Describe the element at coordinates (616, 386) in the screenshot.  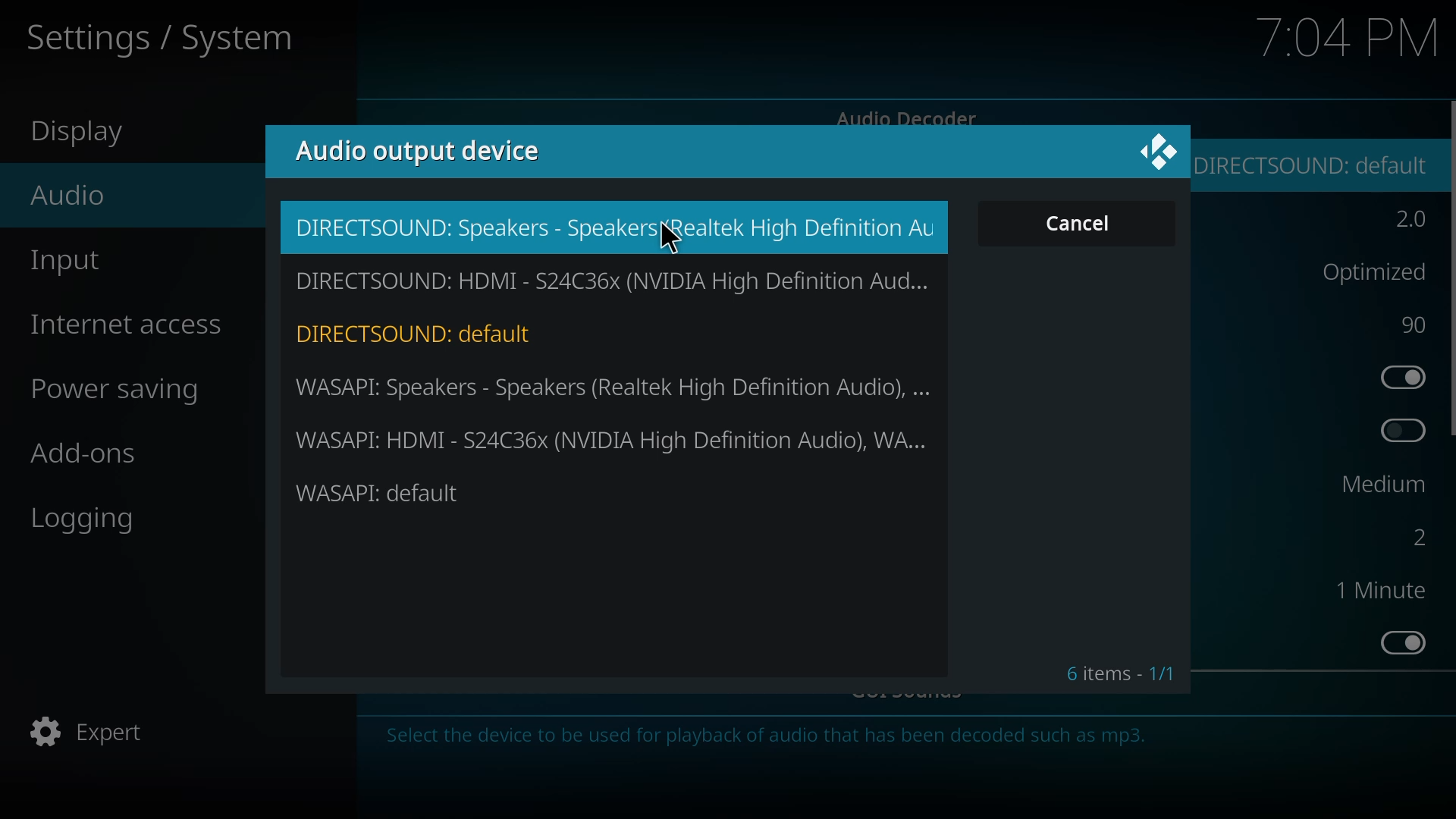
I see `speakers` at that location.